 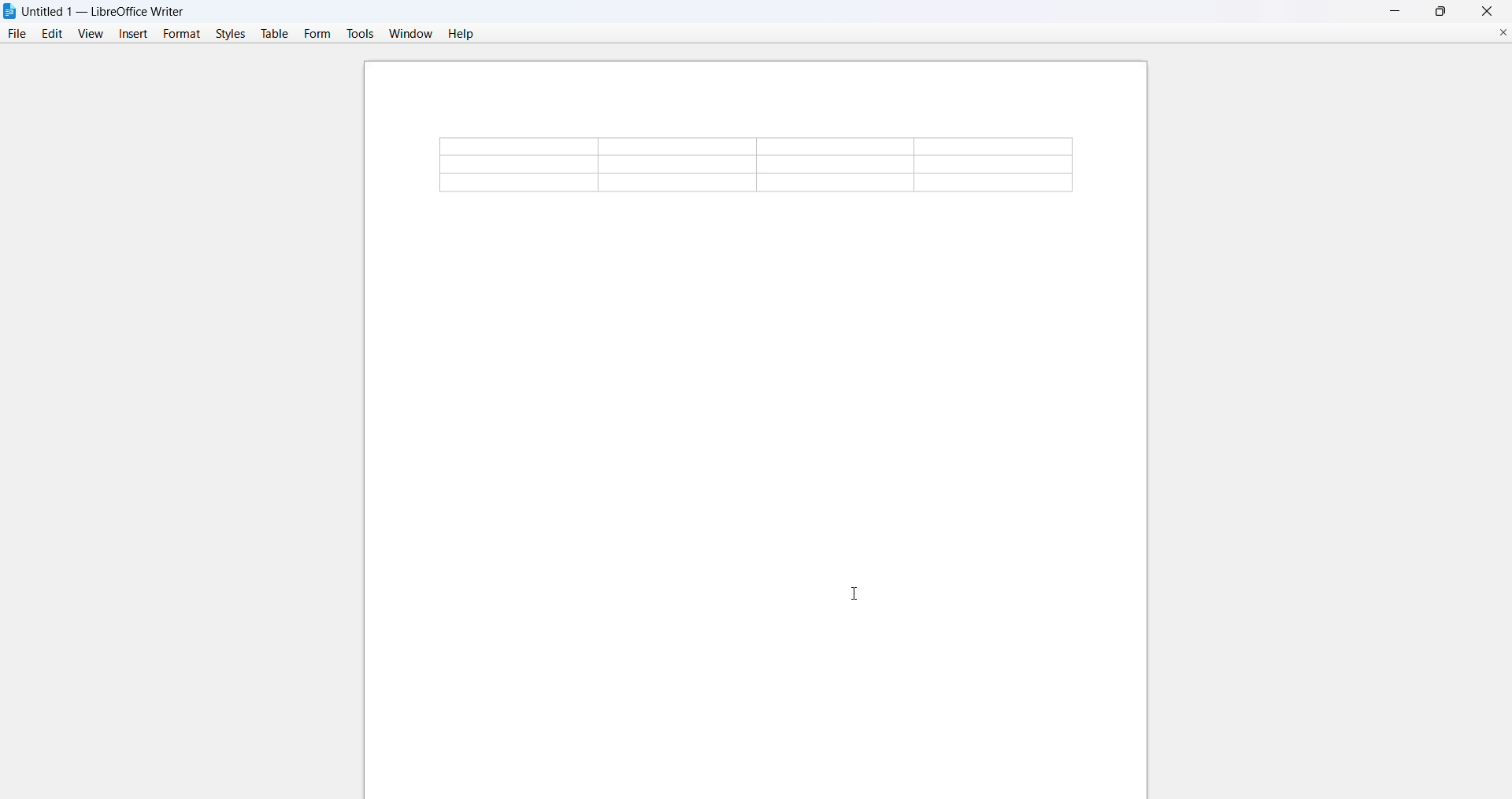 I want to click on table, so click(x=274, y=34).